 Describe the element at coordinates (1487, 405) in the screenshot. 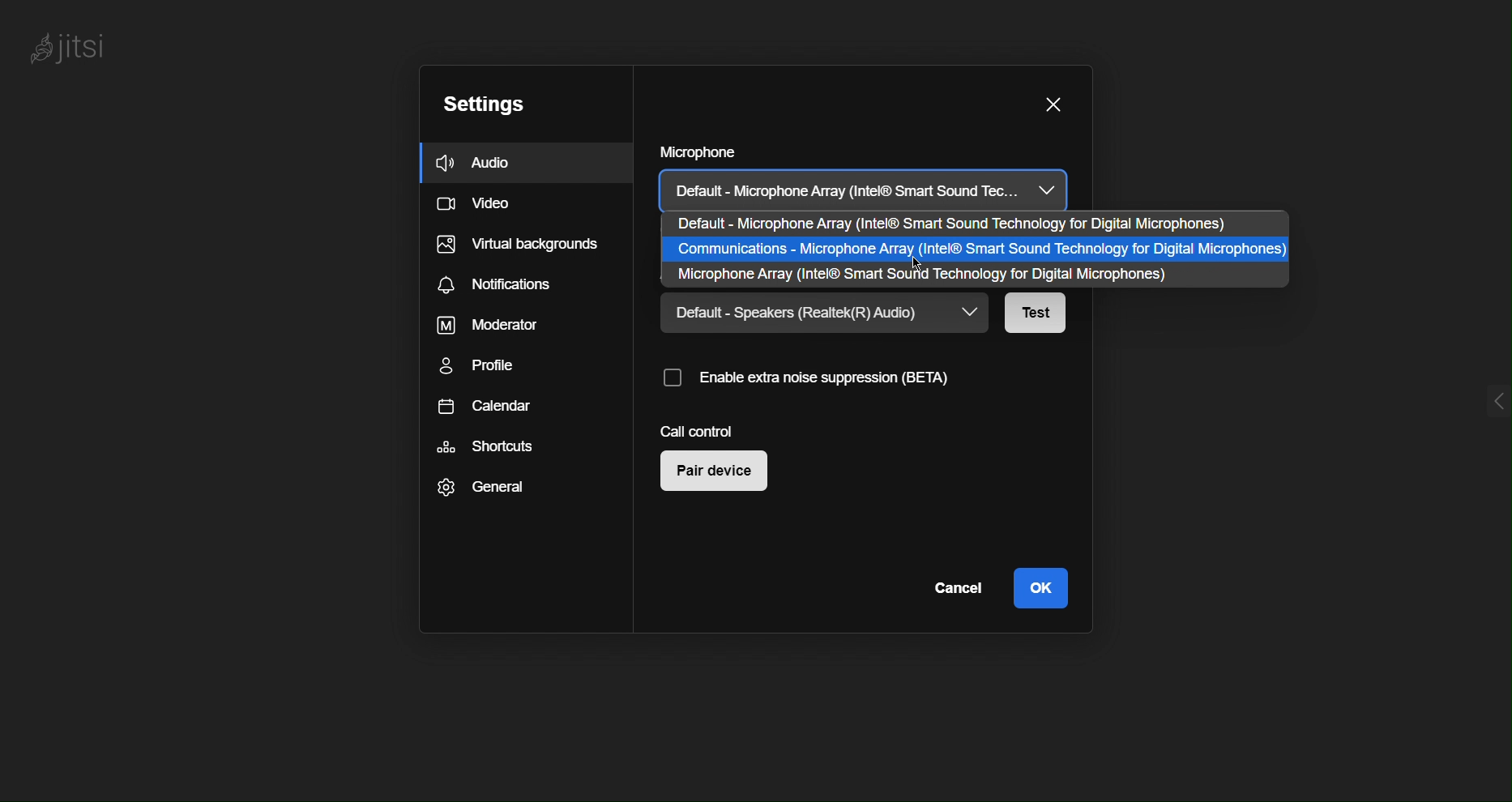

I see `menu` at that location.